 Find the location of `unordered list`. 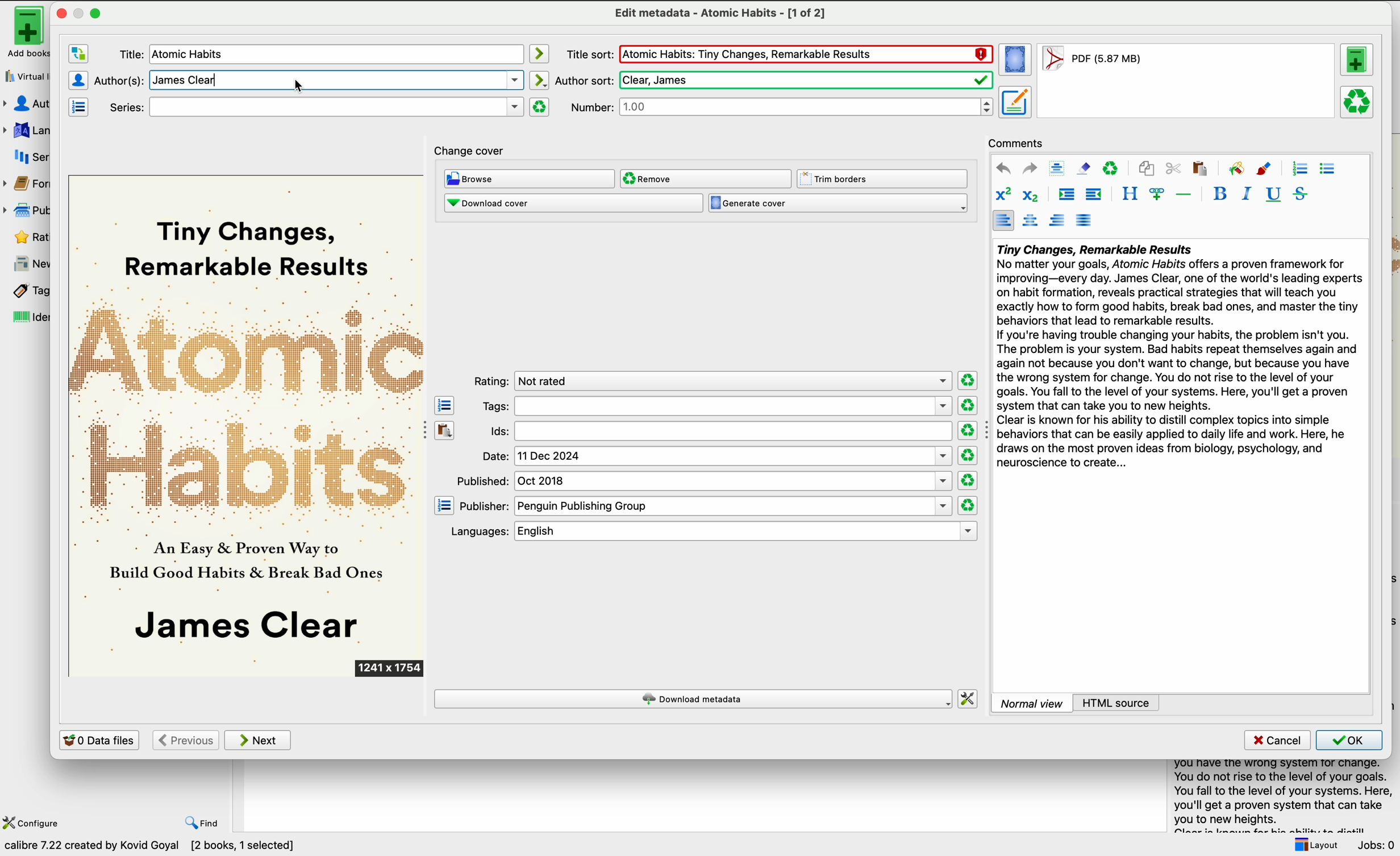

unordered list is located at coordinates (1328, 169).